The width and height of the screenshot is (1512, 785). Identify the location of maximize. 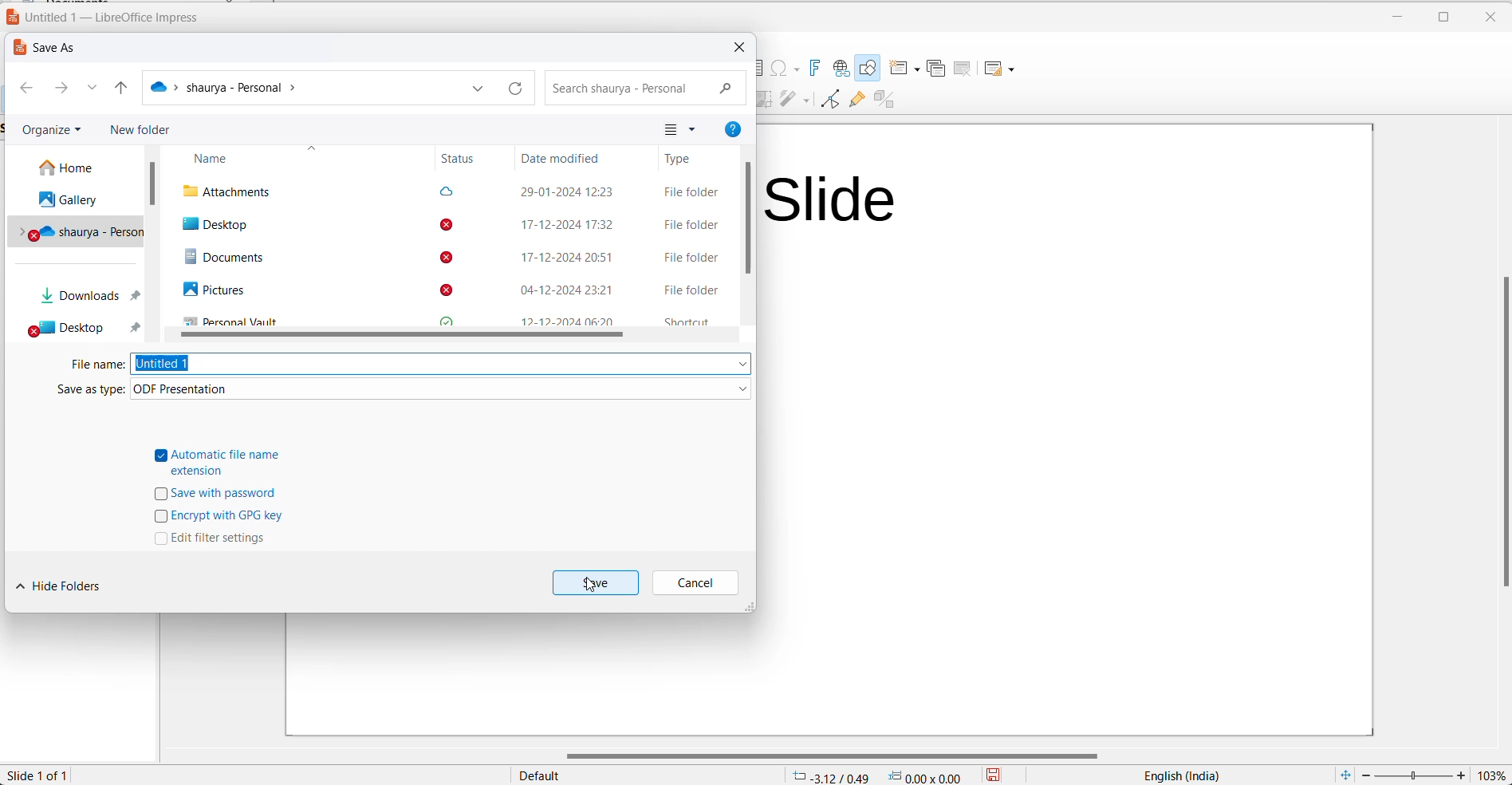
(1437, 20).